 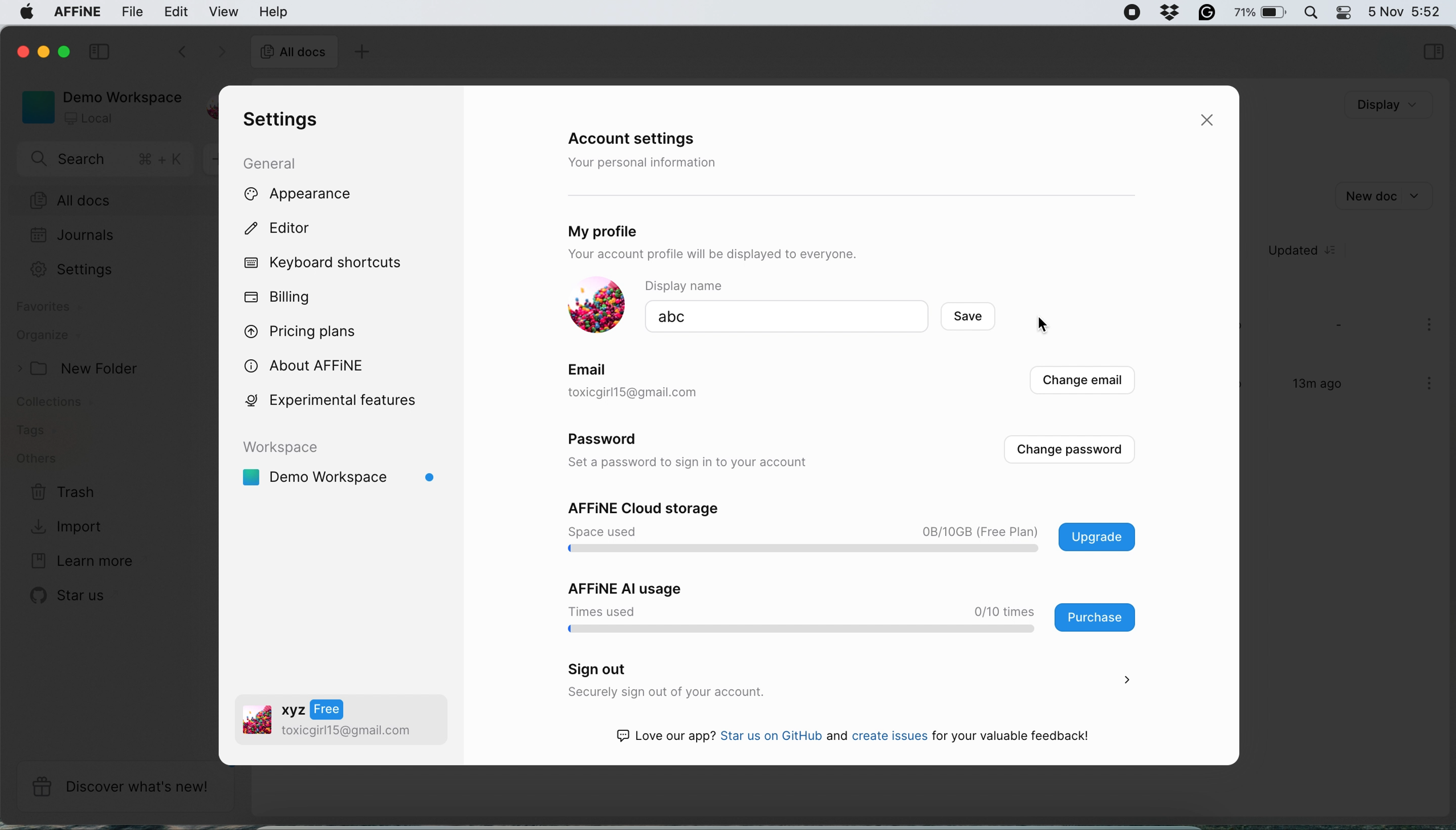 I want to click on file, so click(x=133, y=12).